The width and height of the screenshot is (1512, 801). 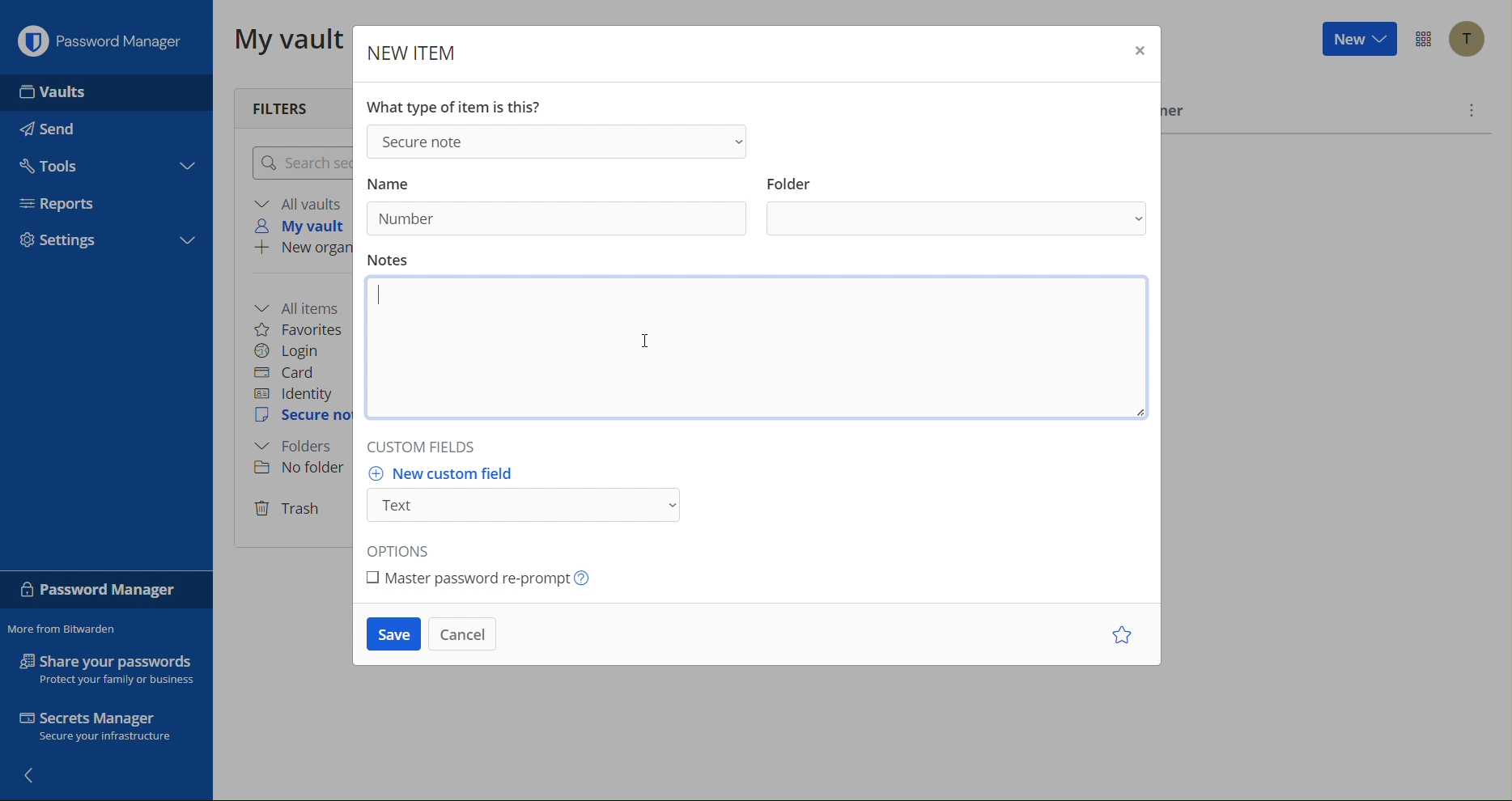 I want to click on Back, so click(x=35, y=778).